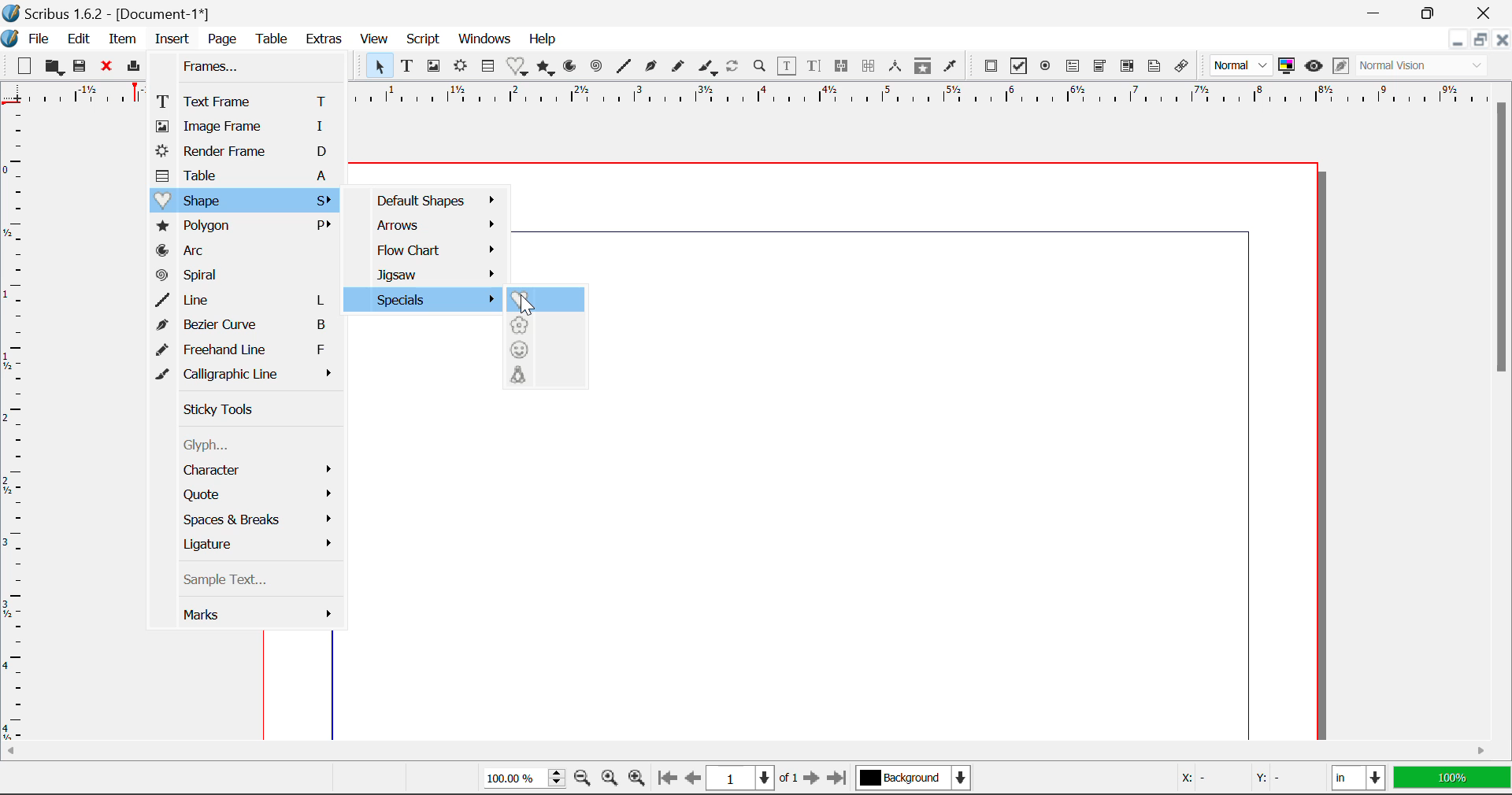 The width and height of the screenshot is (1512, 795). I want to click on Zoom to 100%, so click(608, 780).